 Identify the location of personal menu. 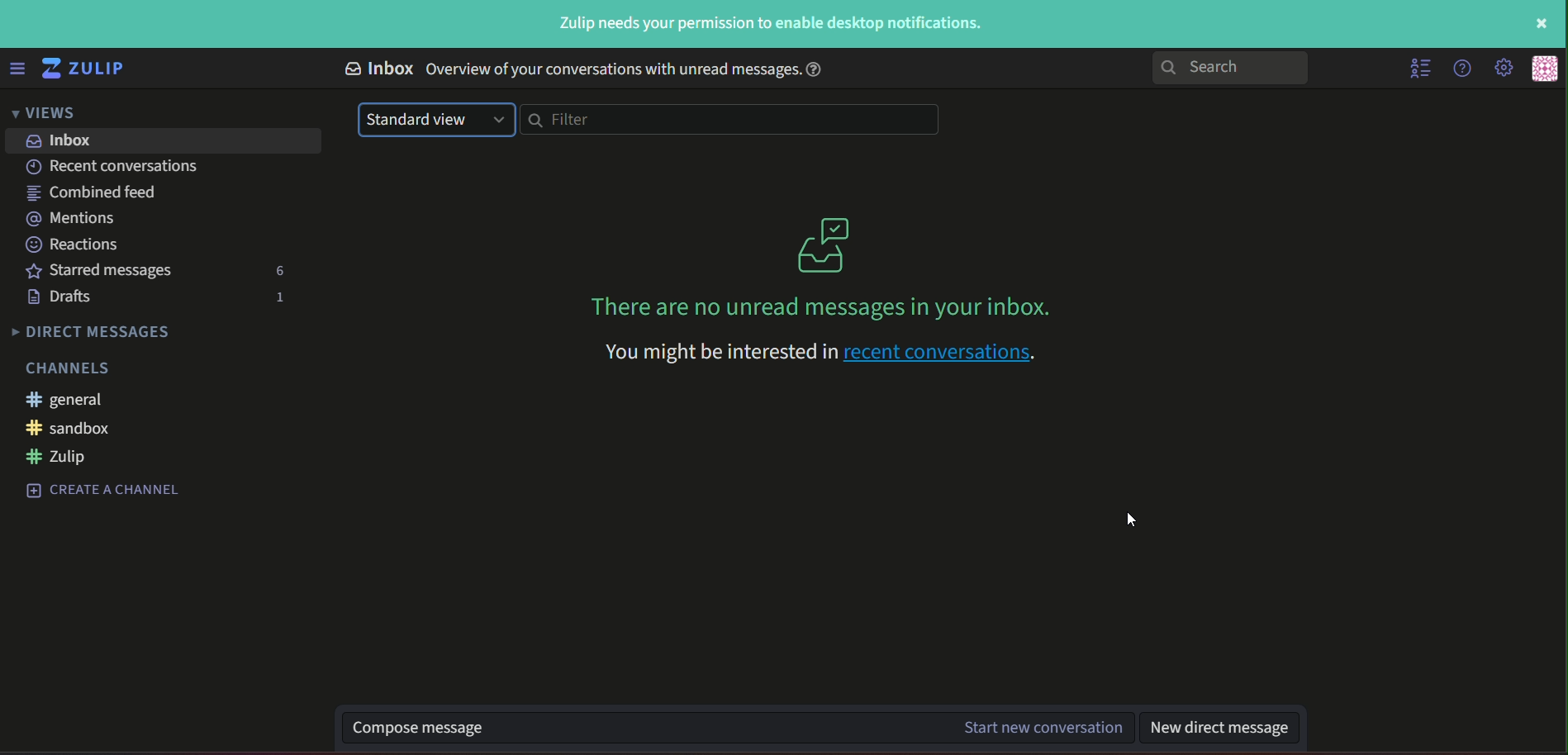
(1547, 68).